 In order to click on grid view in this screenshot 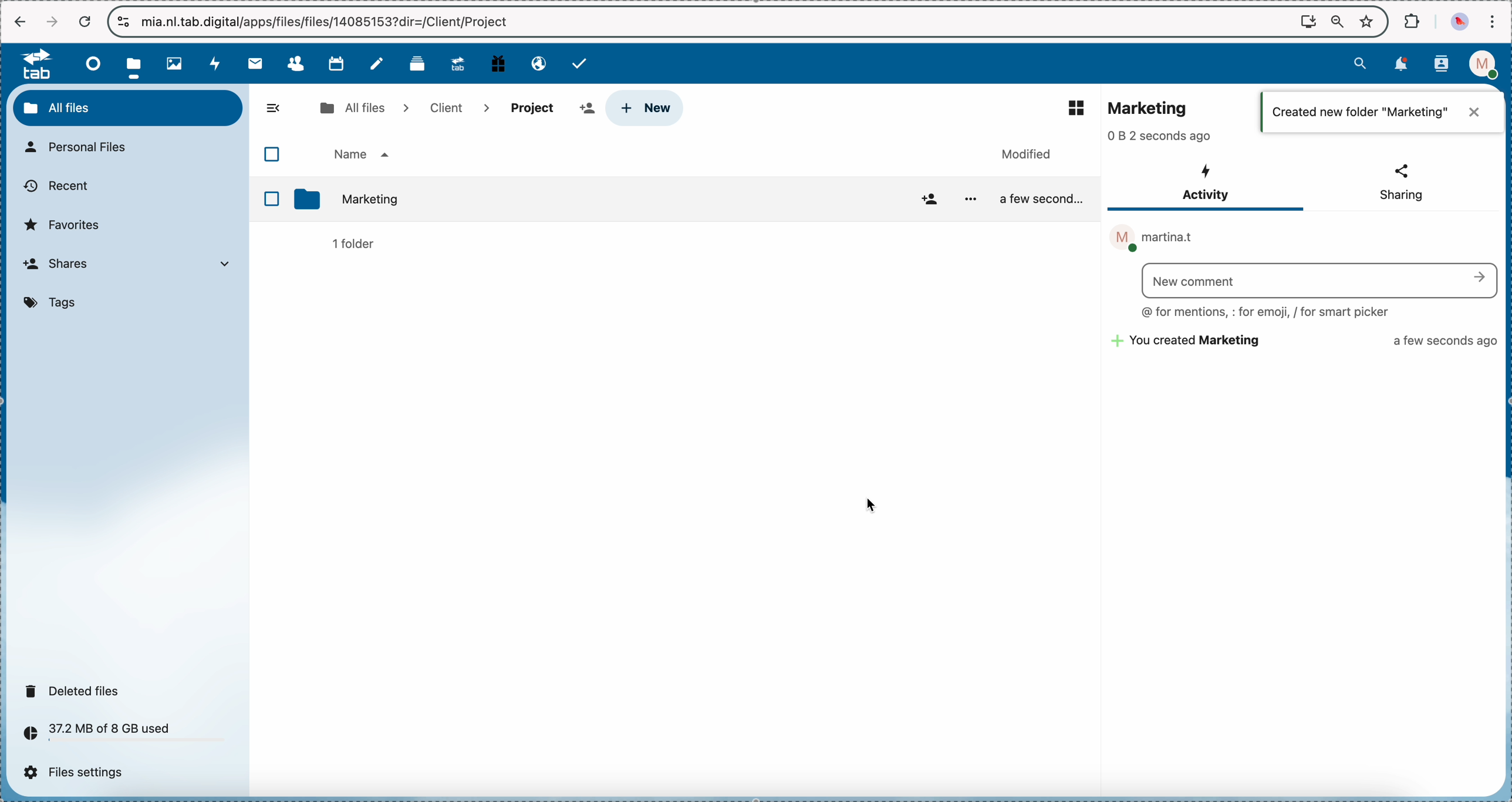, I will do `click(1071, 109)`.